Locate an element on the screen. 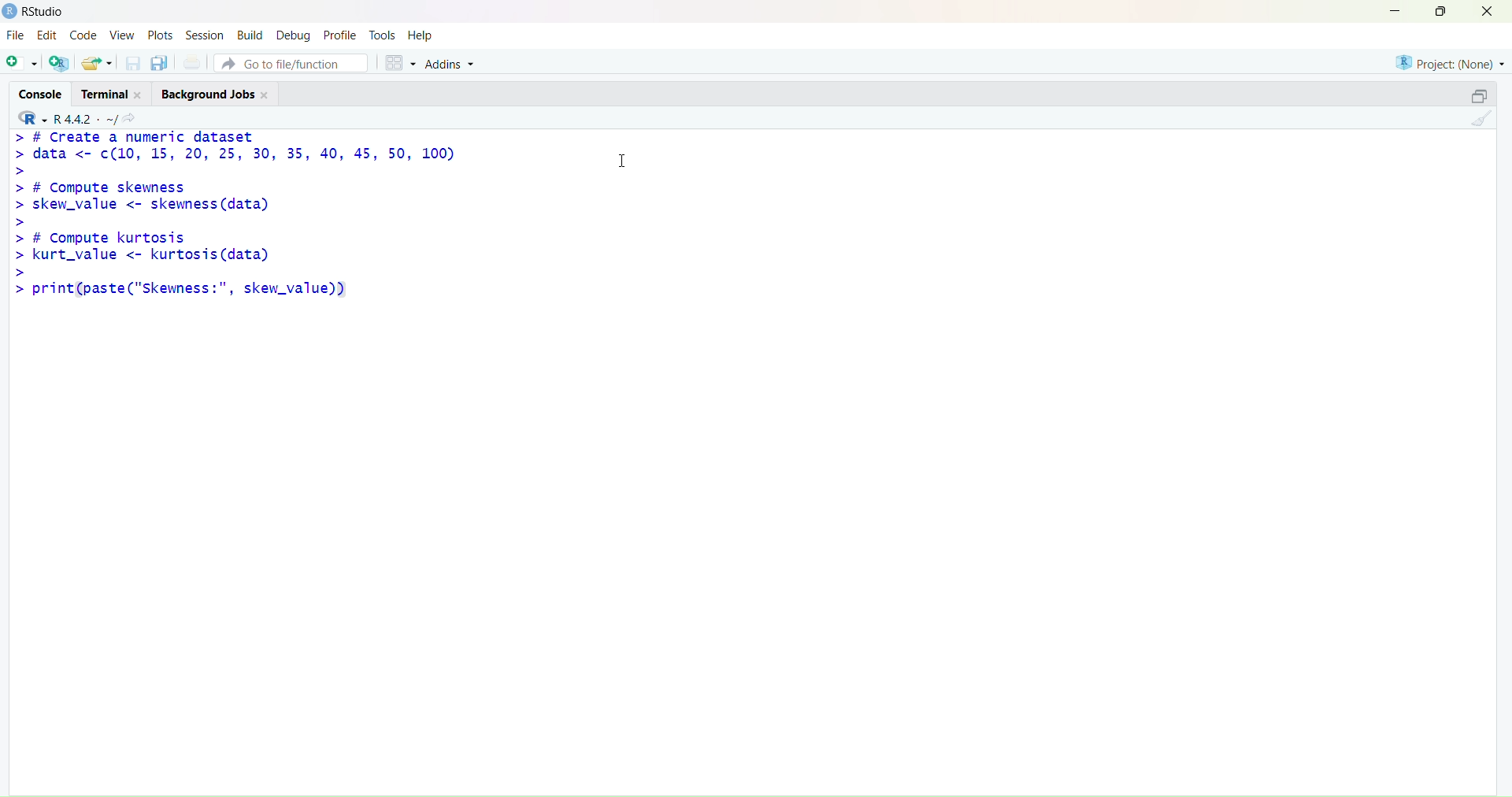 The height and width of the screenshot is (797, 1512). Console is located at coordinates (40, 94).